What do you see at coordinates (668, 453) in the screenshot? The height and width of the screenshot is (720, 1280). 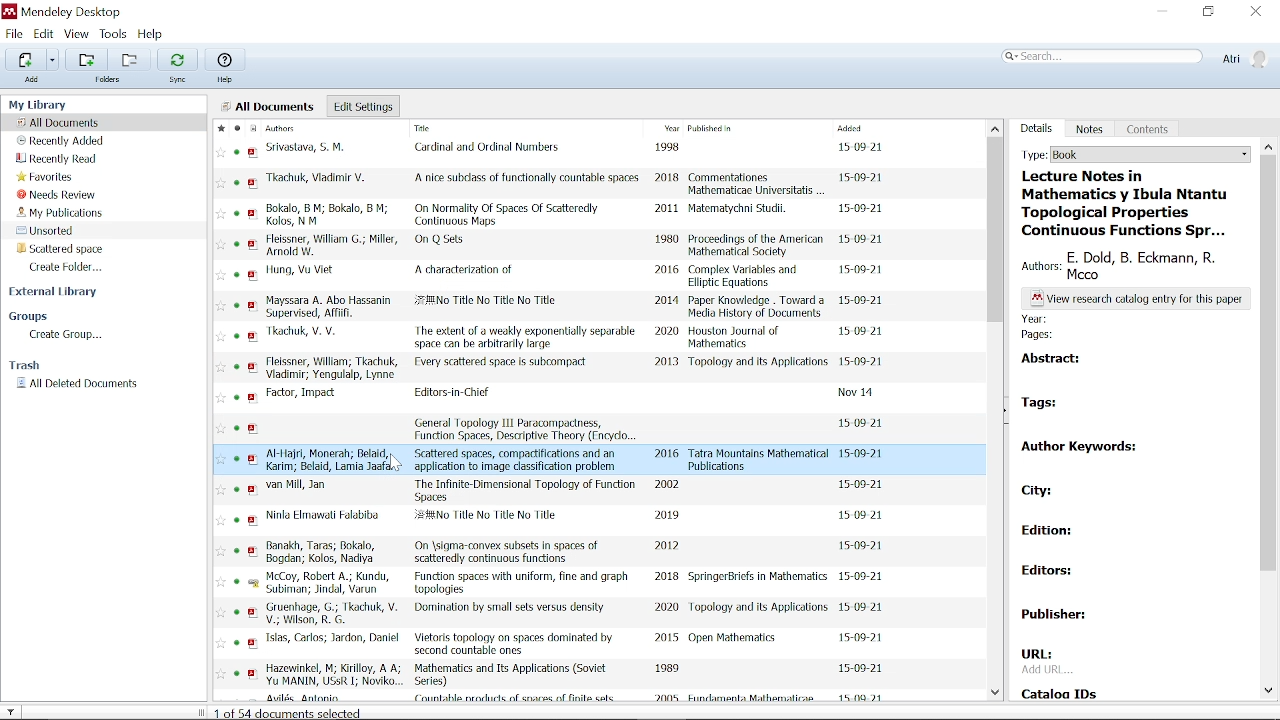 I see `2016` at bounding box center [668, 453].